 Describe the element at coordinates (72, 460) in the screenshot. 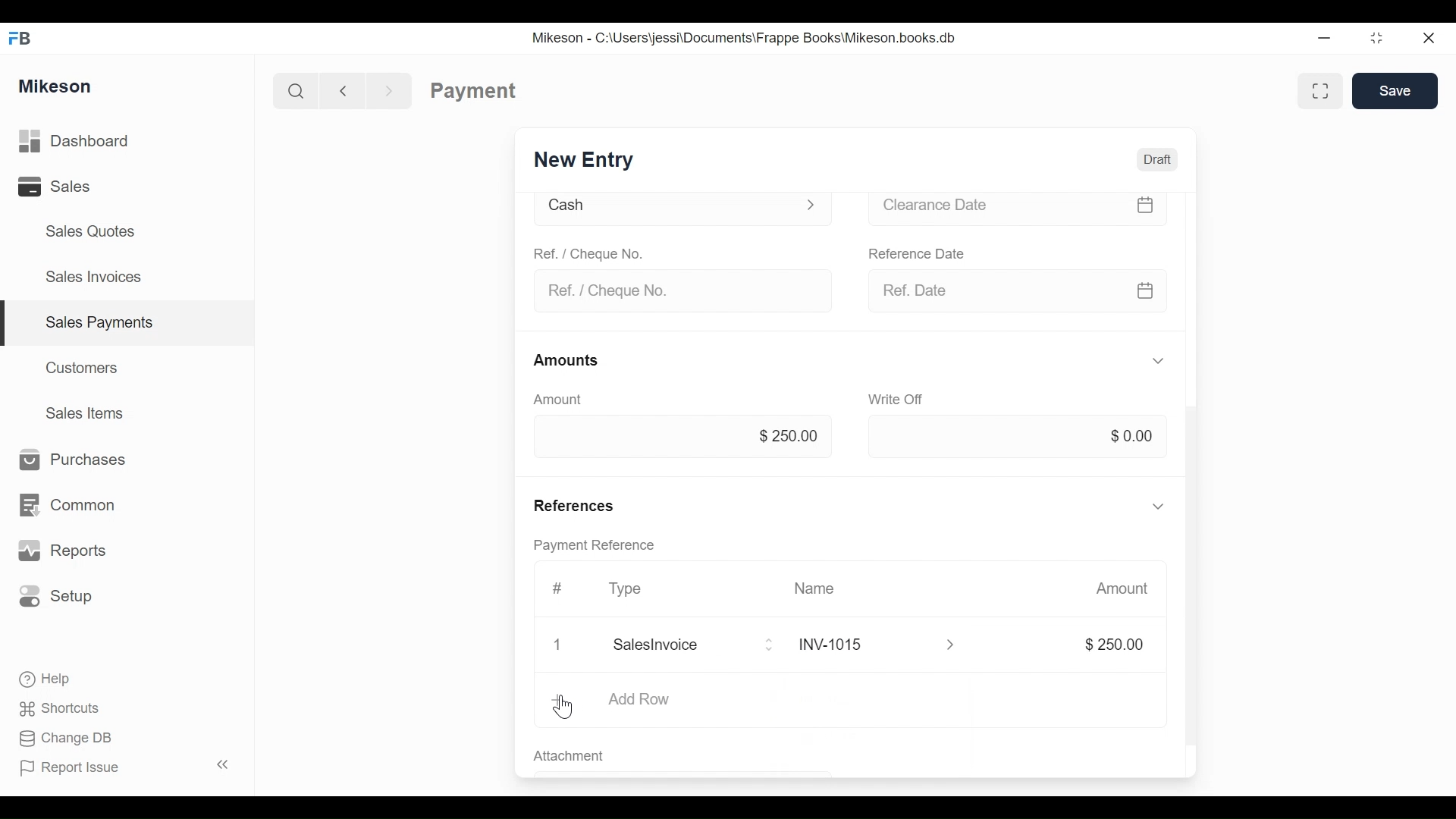

I see `Purchases` at that location.